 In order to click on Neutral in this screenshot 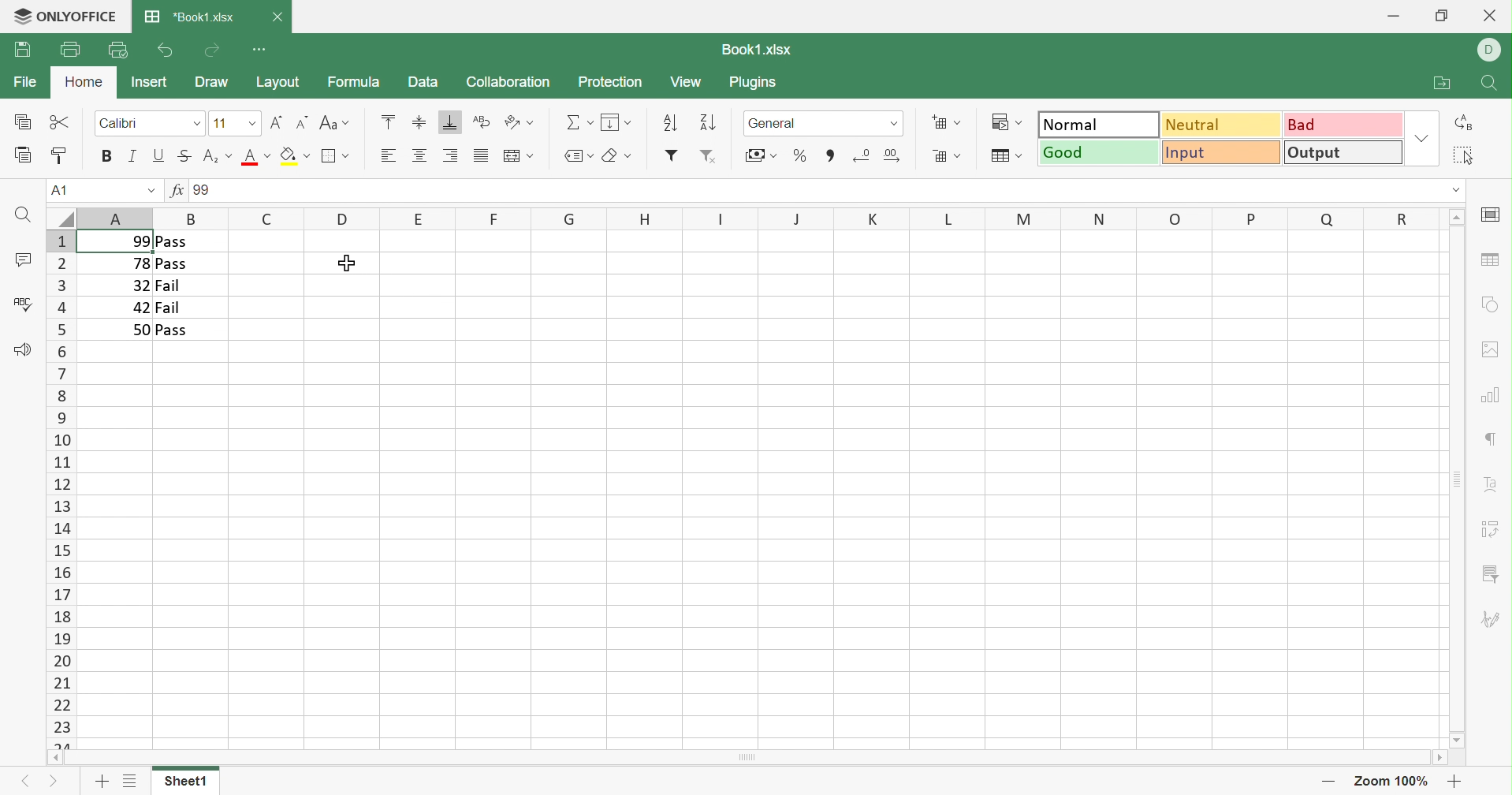, I will do `click(1222, 123)`.